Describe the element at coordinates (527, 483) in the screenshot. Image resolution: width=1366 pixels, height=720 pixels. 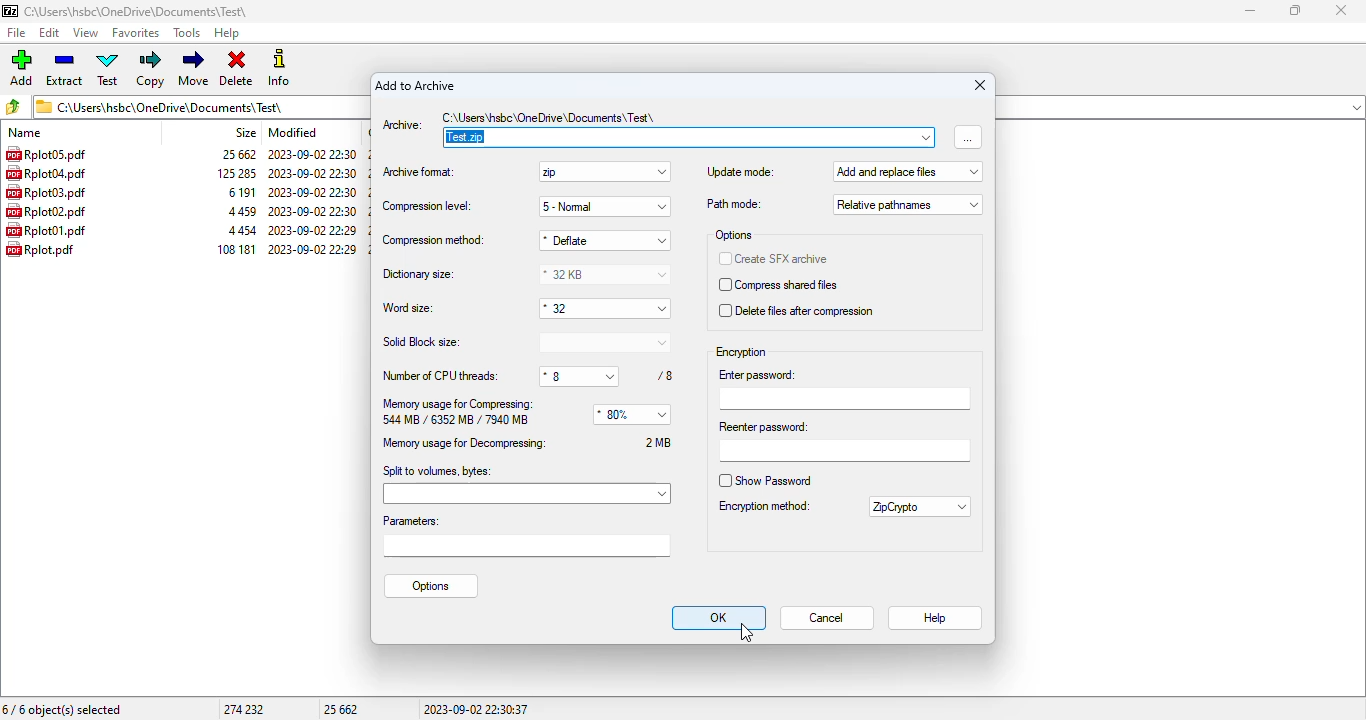
I see `split to volumes, bytes:` at that location.